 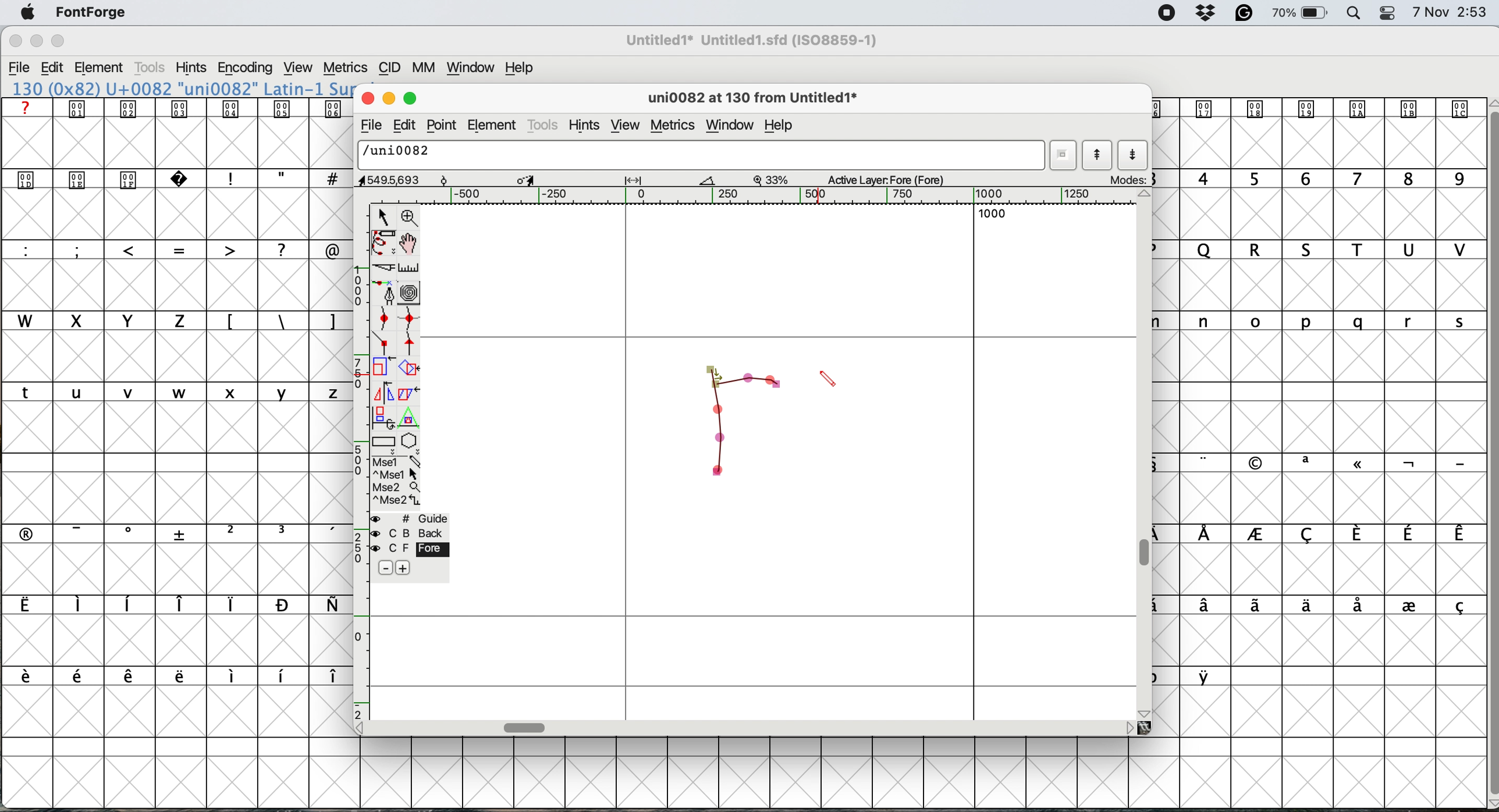 What do you see at coordinates (738, 426) in the screenshot?
I see `r` at bounding box center [738, 426].